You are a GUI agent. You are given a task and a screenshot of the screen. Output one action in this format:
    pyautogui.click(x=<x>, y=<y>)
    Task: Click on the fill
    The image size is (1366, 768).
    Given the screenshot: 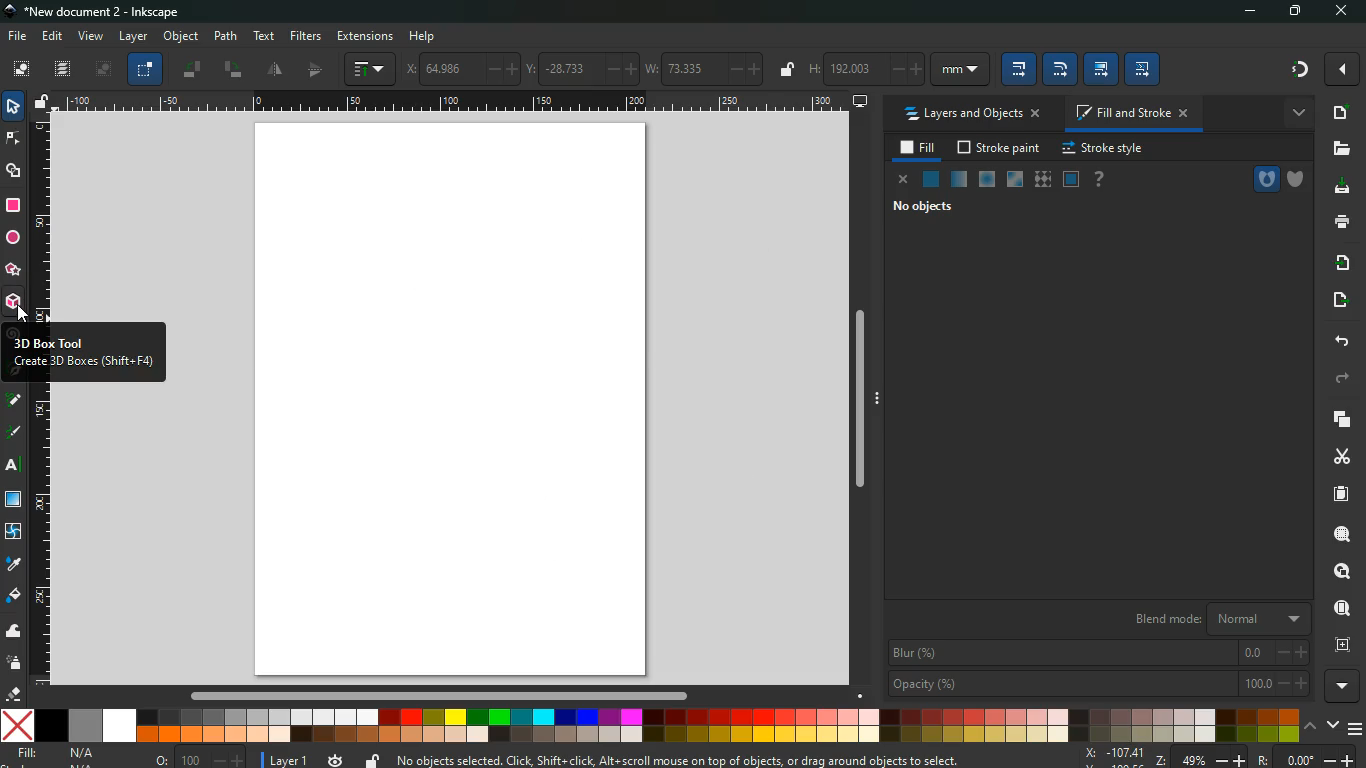 What is the action you would take?
    pyautogui.click(x=919, y=148)
    